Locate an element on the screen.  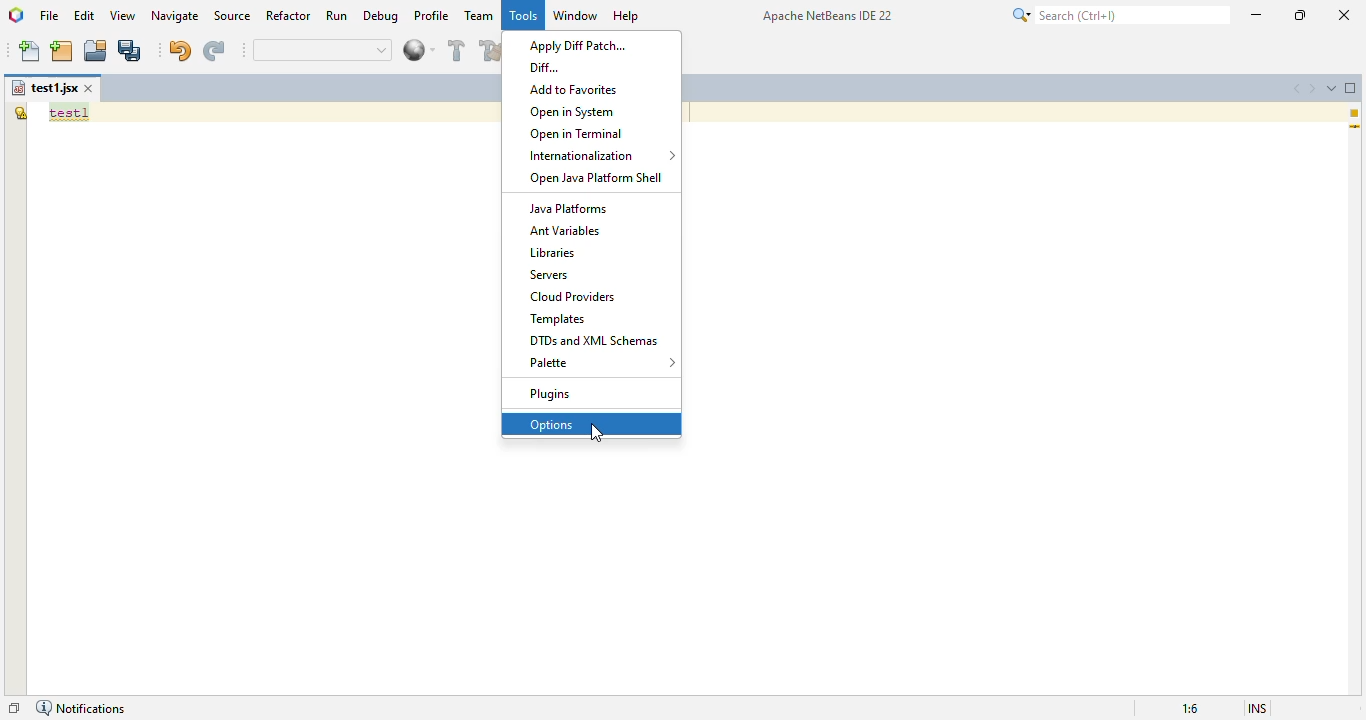
palette is located at coordinates (601, 362).